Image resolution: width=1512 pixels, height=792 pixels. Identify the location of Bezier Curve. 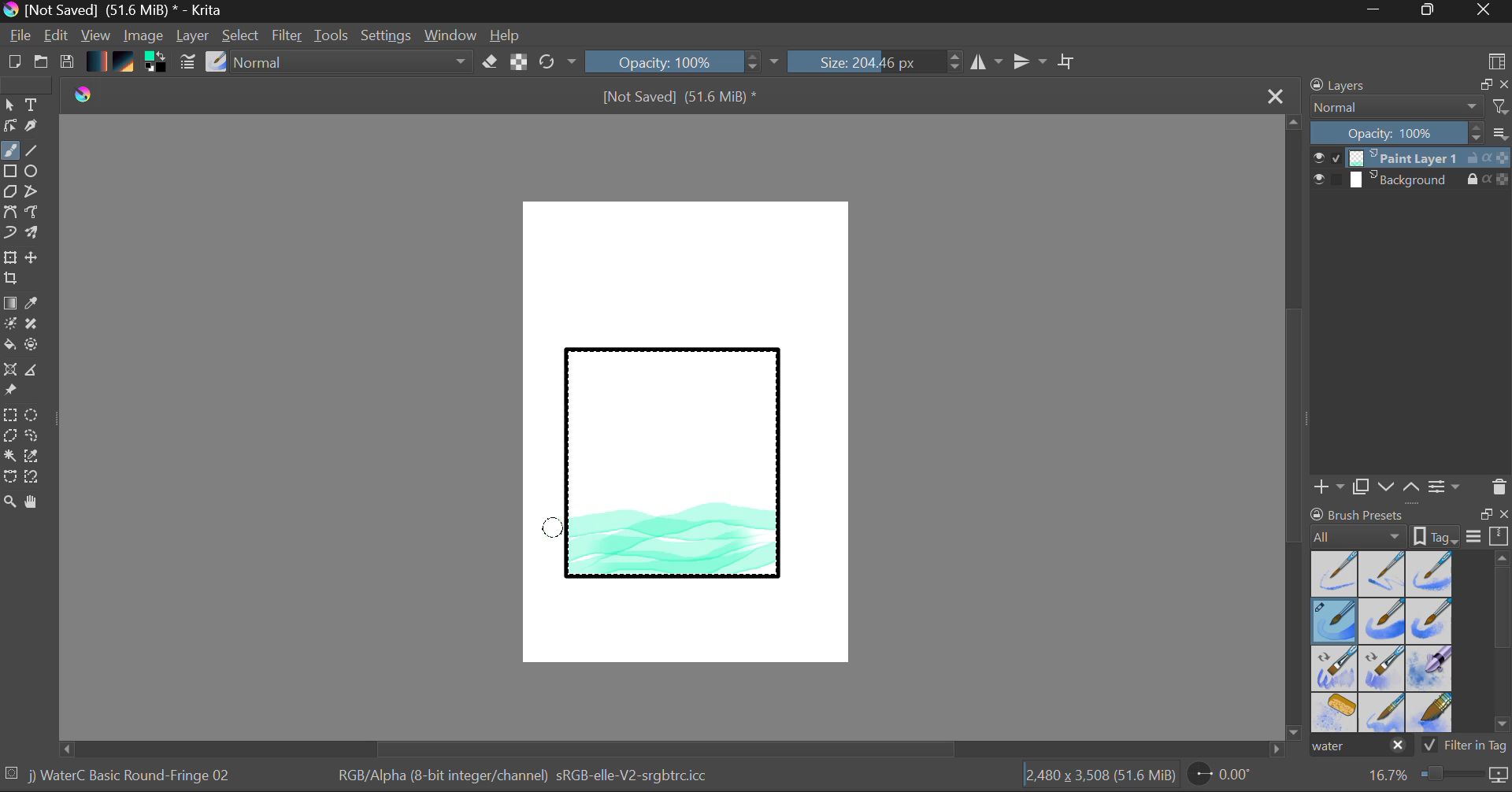
(9, 213).